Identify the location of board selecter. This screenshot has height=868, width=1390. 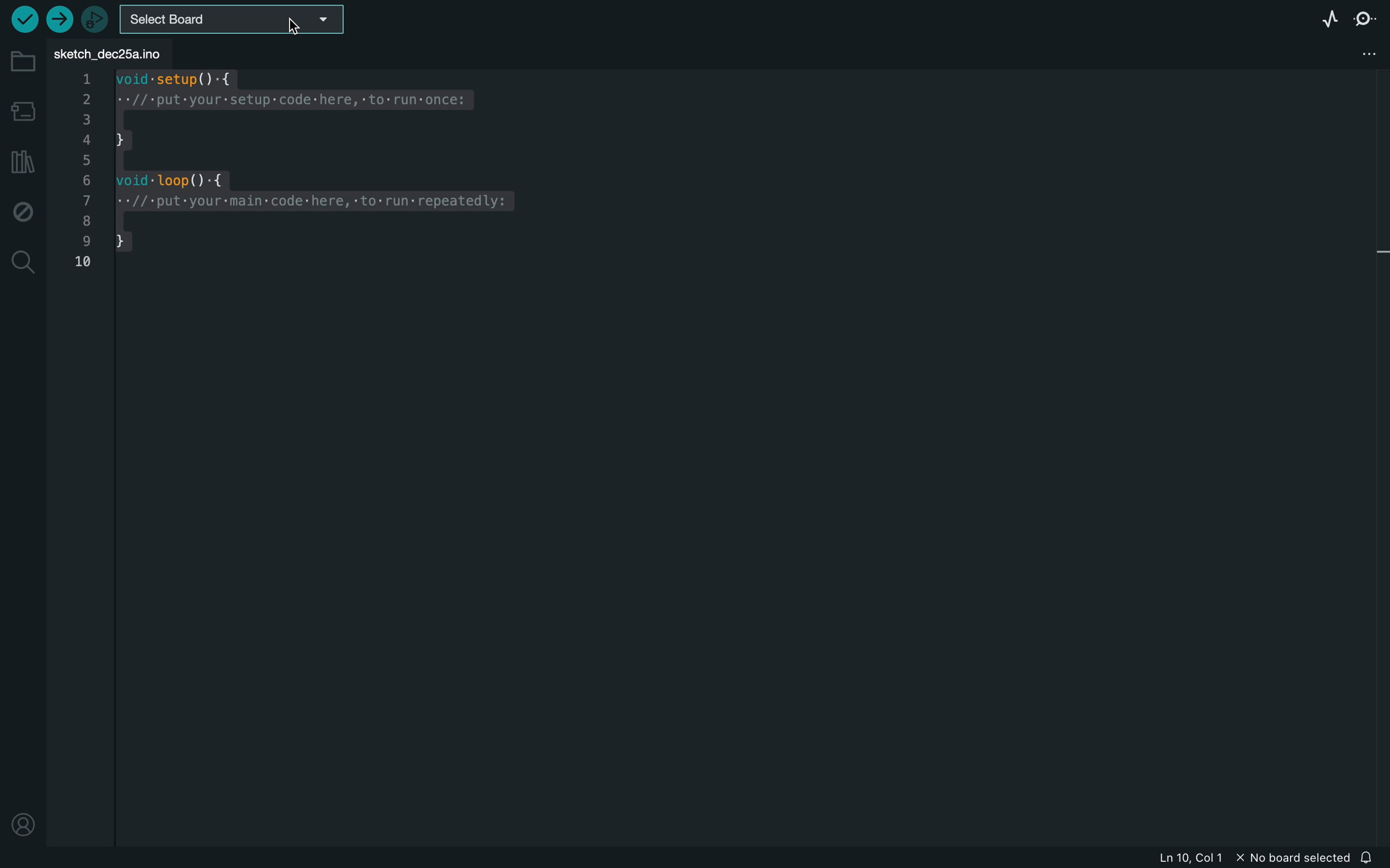
(234, 18).